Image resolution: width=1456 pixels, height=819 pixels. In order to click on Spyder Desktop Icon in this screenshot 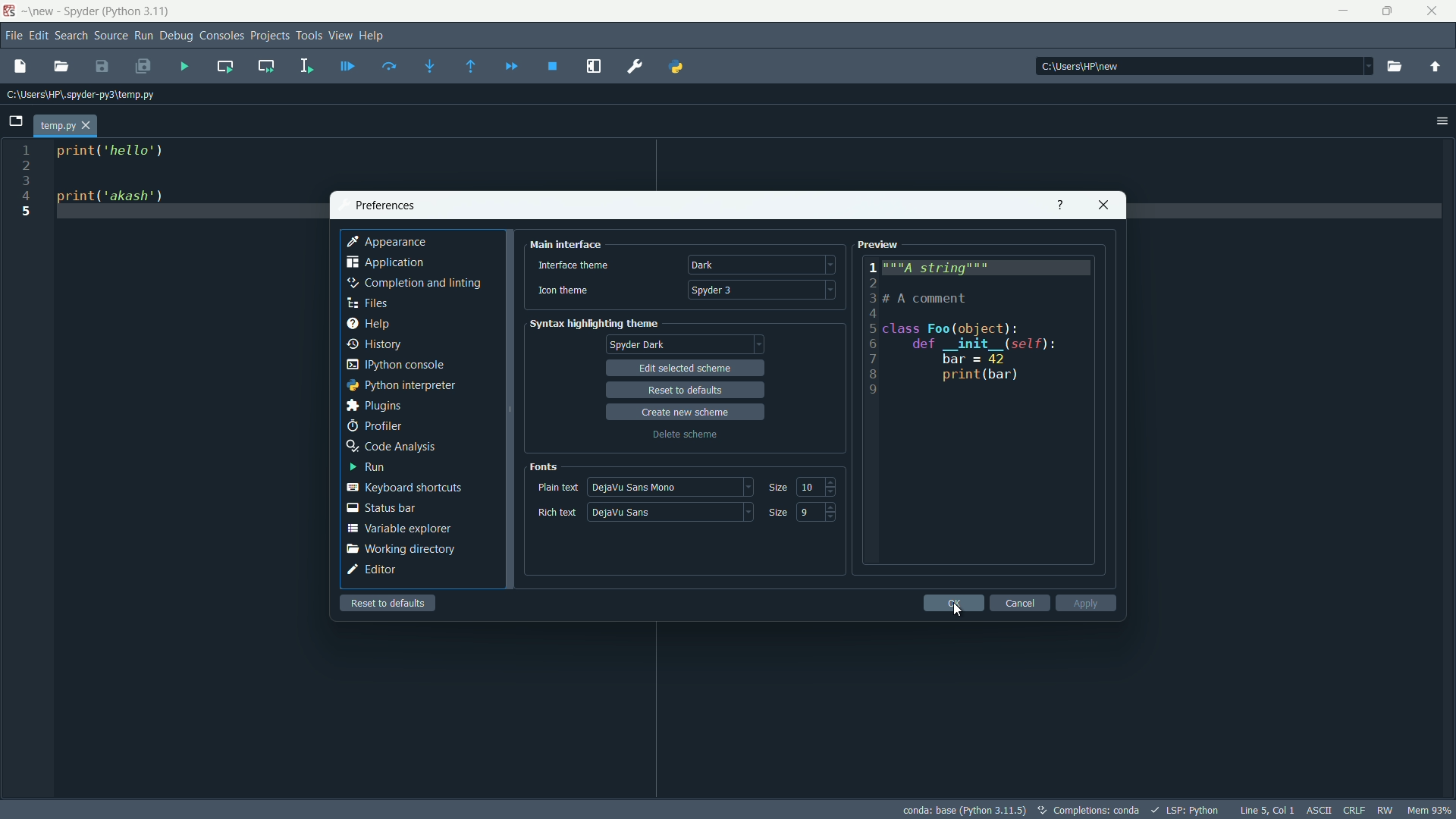, I will do `click(10, 12)`.